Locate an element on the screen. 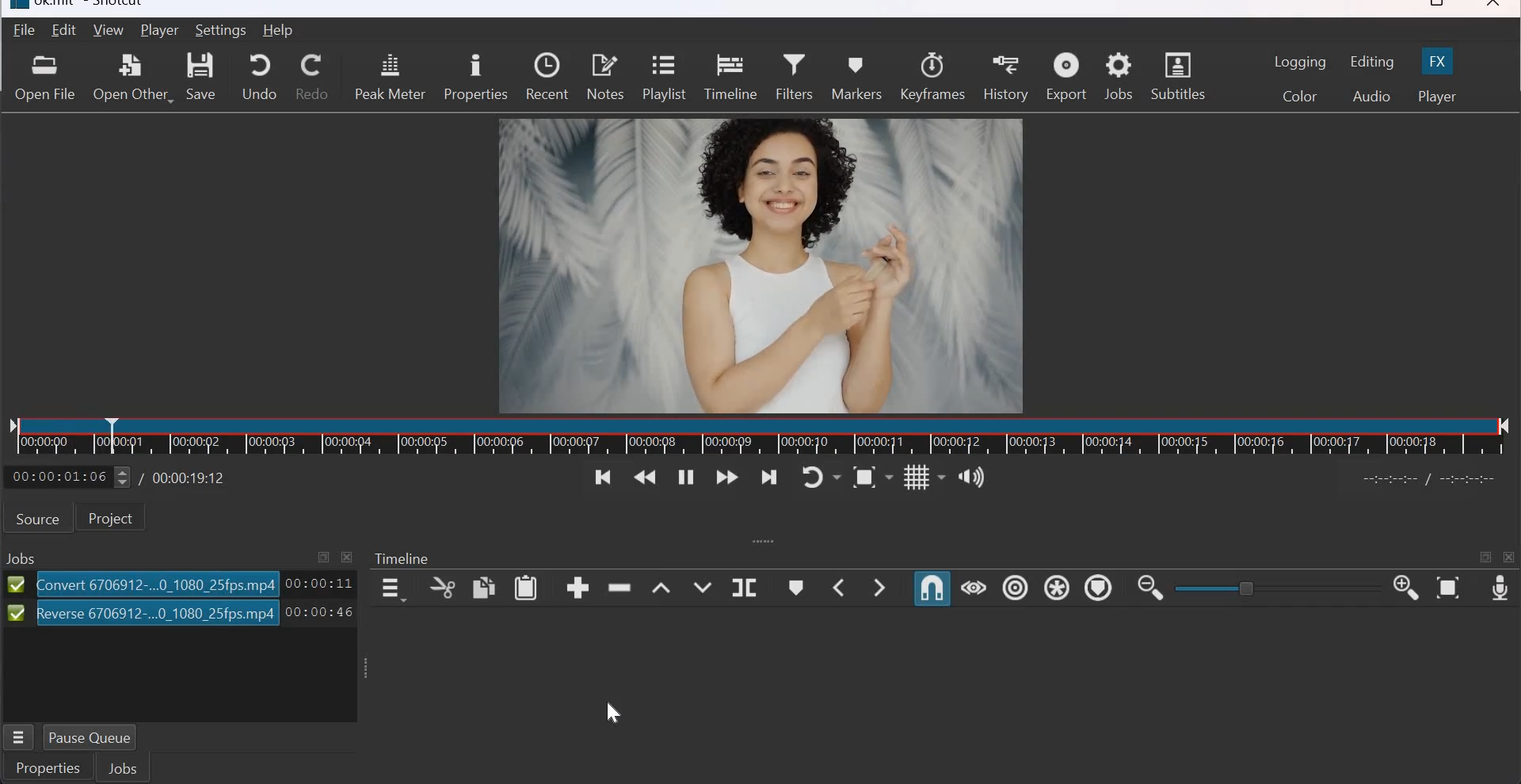  timeline menu  is located at coordinates (391, 588).